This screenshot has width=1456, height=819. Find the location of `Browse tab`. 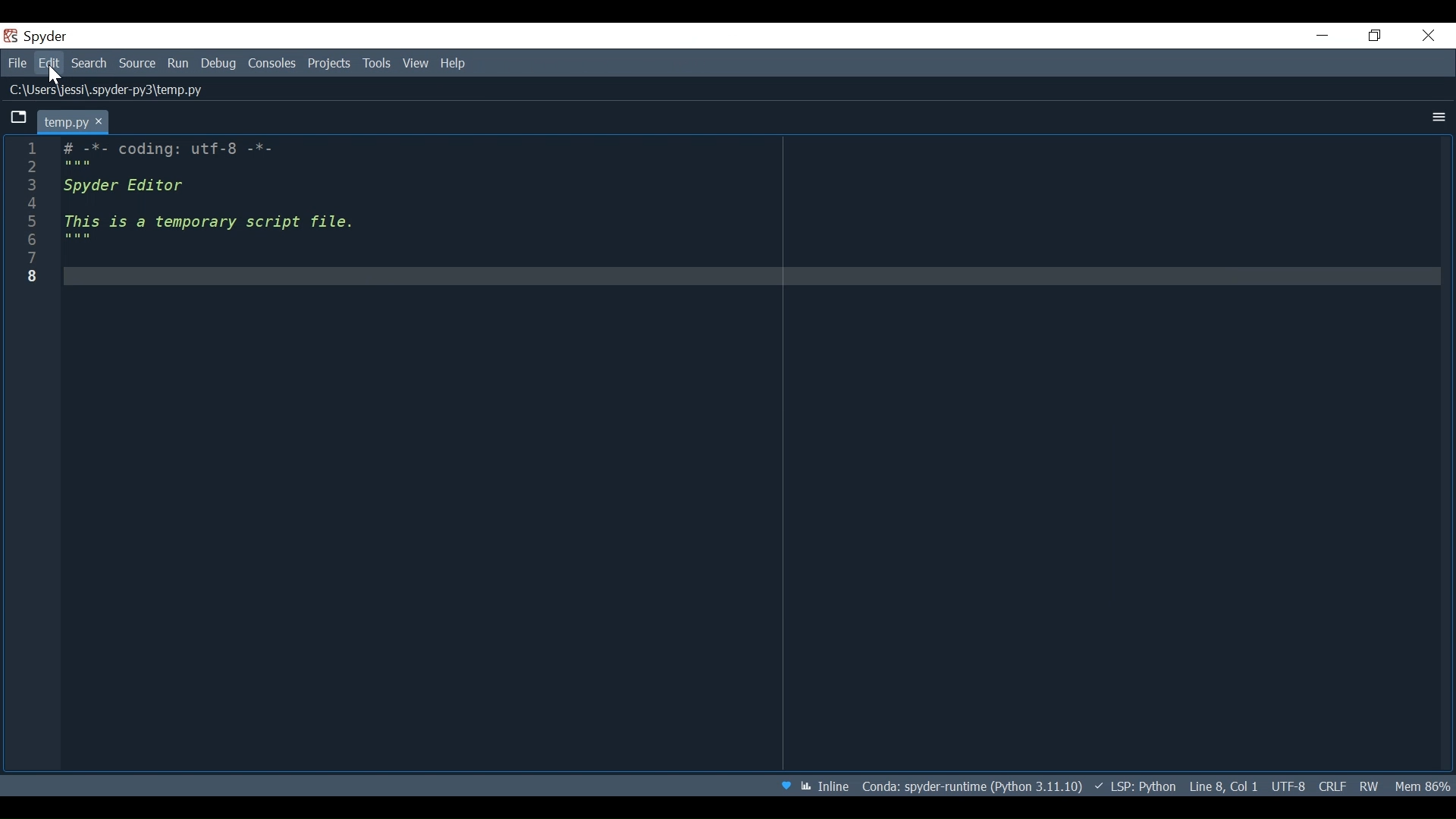

Browse tab is located at coordinates (20, 119).